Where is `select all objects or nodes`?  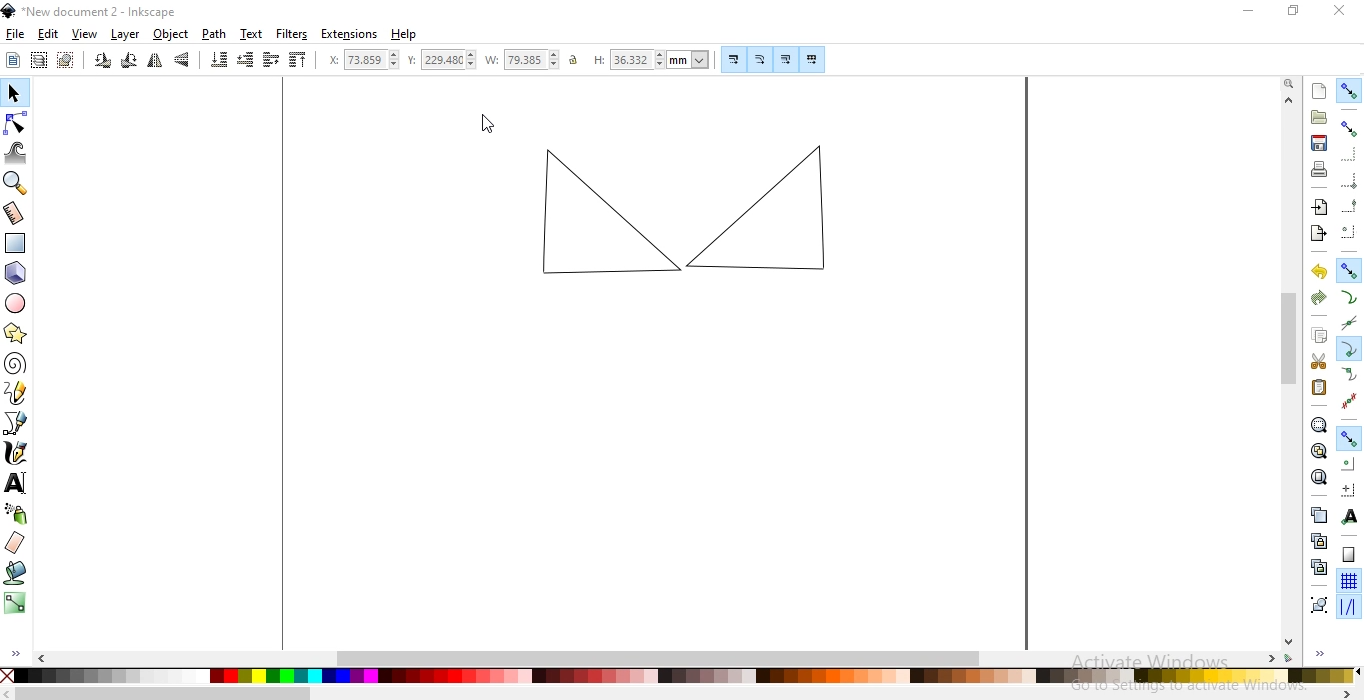
select all objects or nodes is located at coordinates (12, 60).